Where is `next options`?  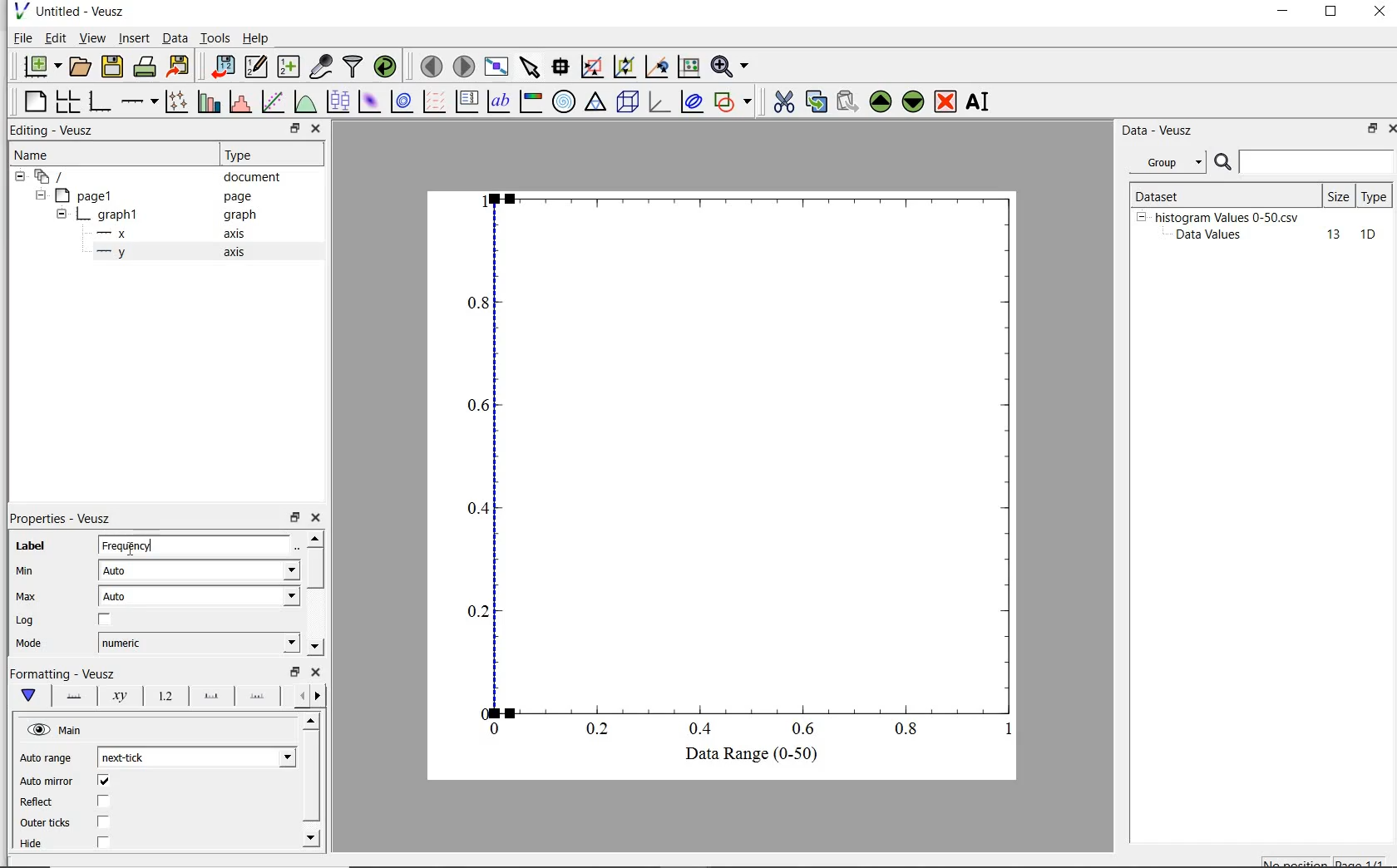
next options is located at coordinates (319, 696).